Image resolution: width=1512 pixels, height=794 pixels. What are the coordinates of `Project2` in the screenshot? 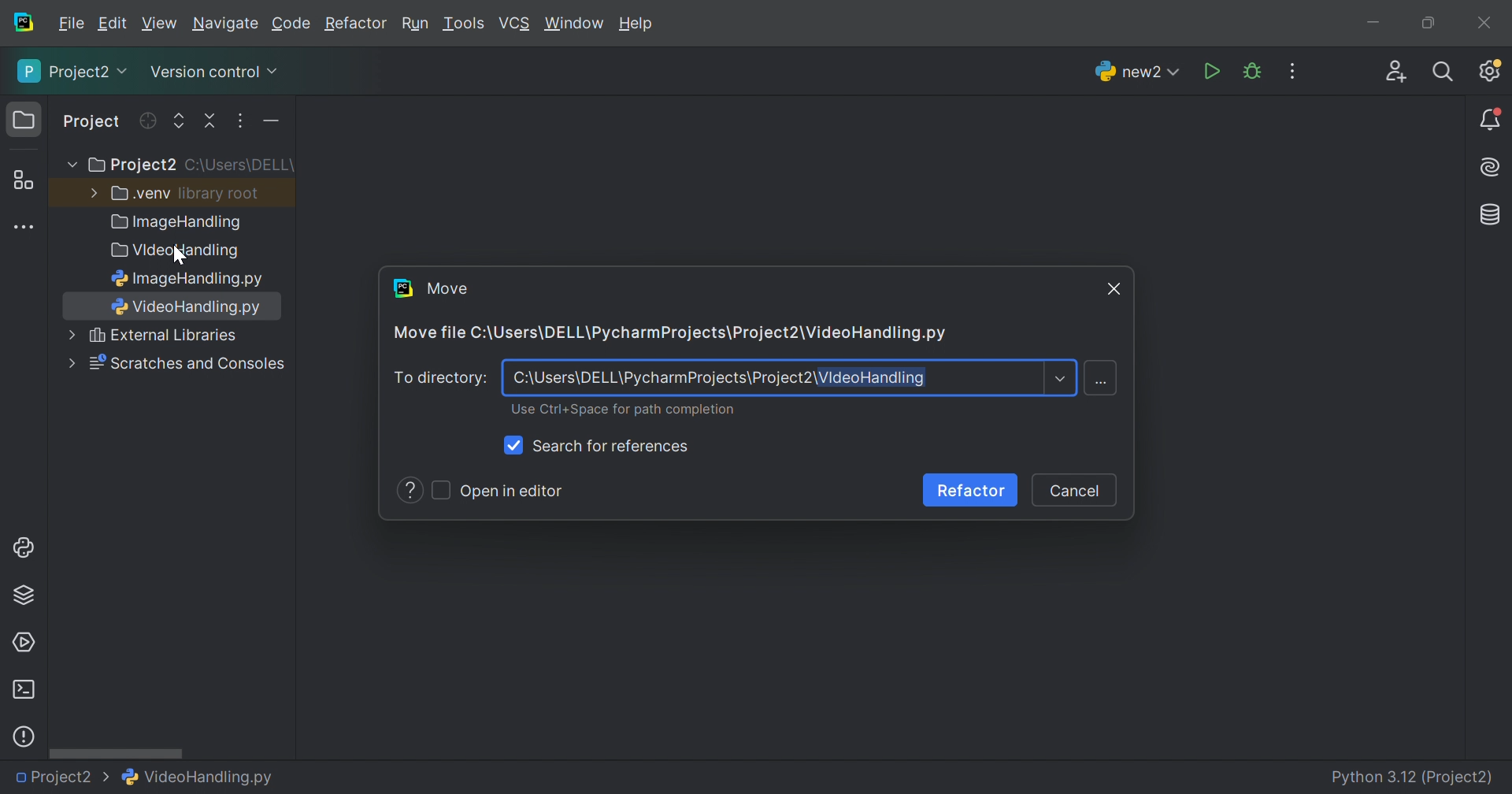 It's located at (131, 165).